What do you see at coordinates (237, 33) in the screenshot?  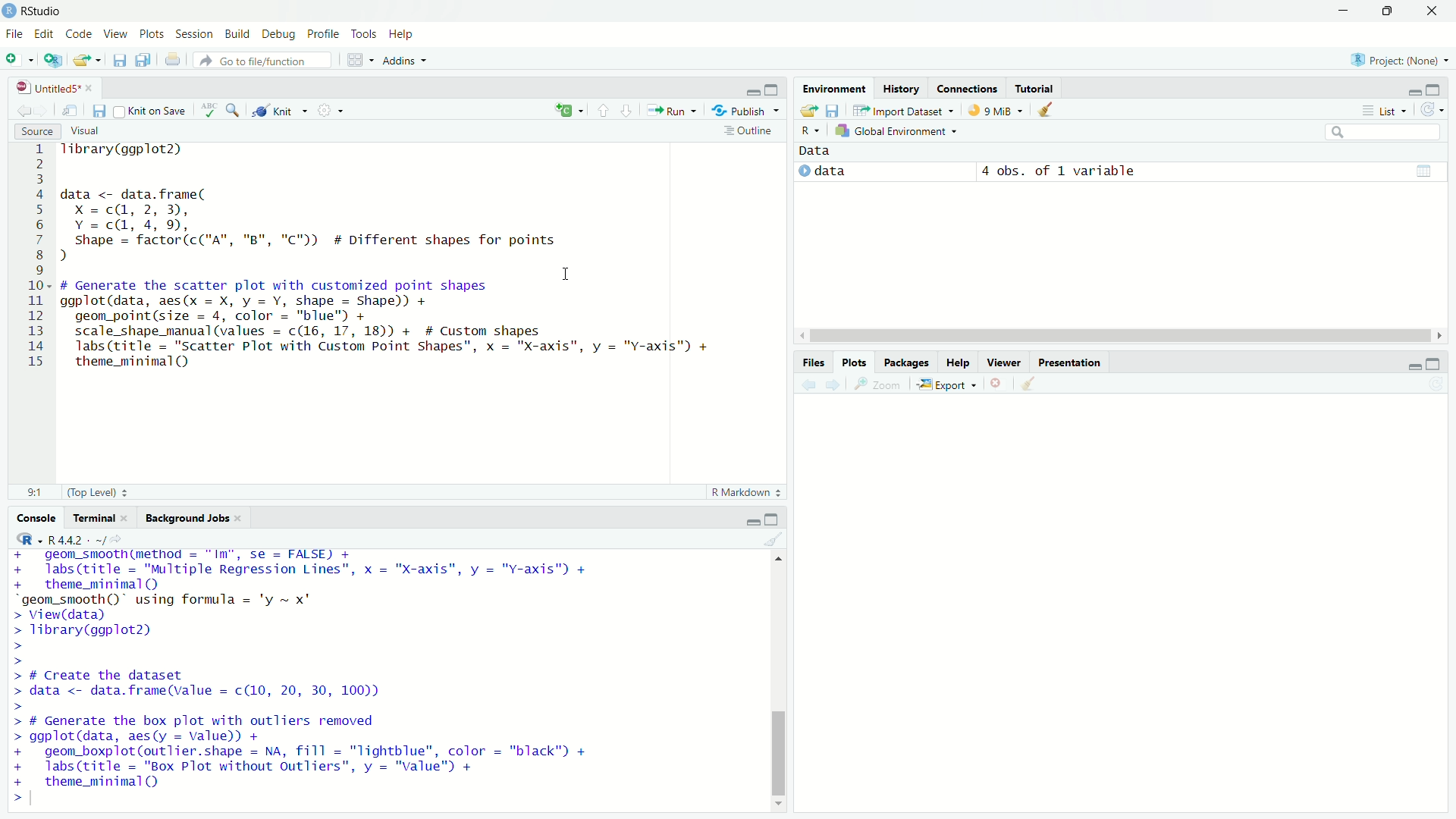 I see `Build` at bounding box center [237, 33].